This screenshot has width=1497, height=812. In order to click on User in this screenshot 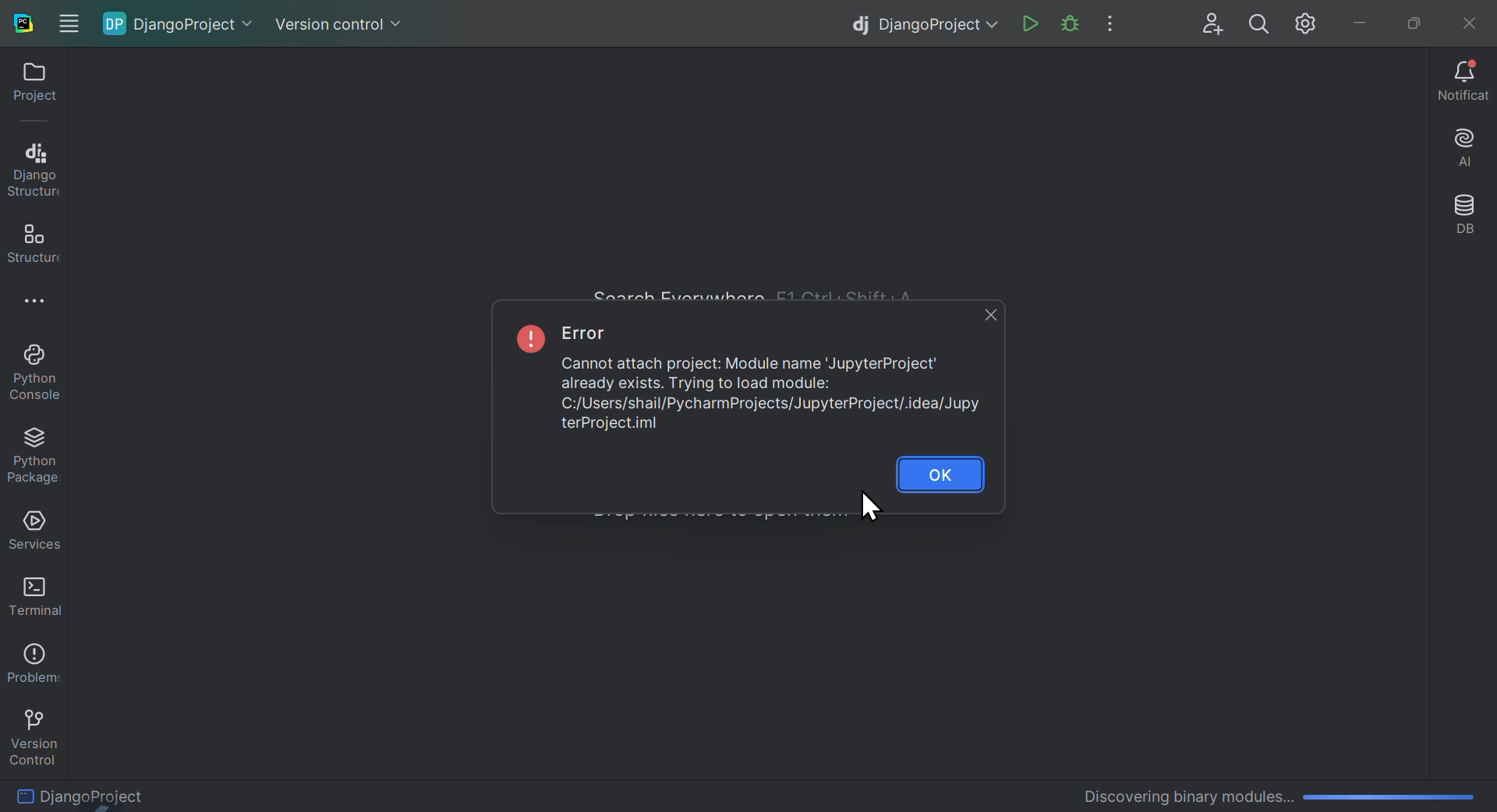, I will do `click(1214, 24)`.